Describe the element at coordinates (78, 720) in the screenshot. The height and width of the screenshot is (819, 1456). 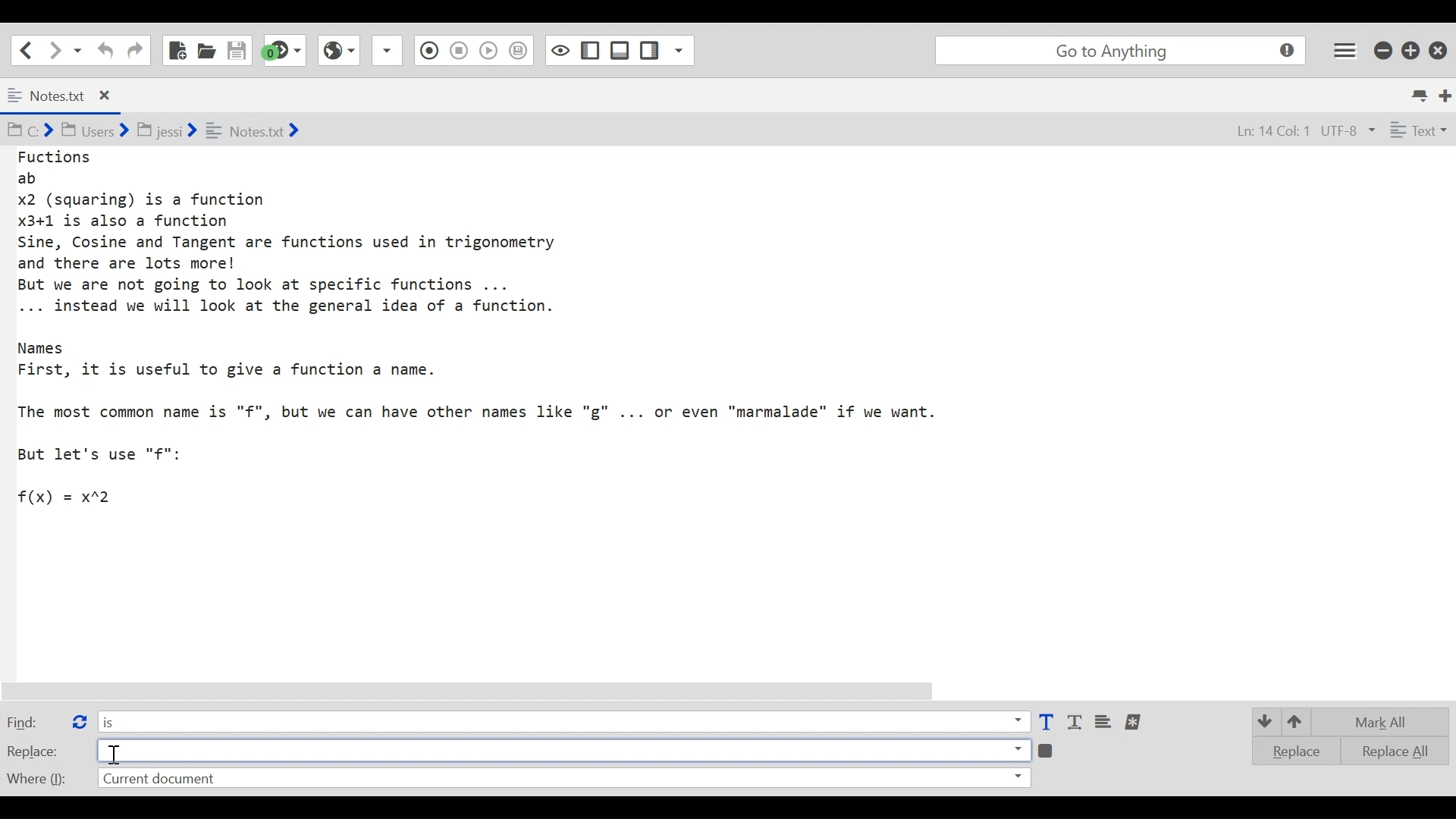
I see `Replace Button` at that location.